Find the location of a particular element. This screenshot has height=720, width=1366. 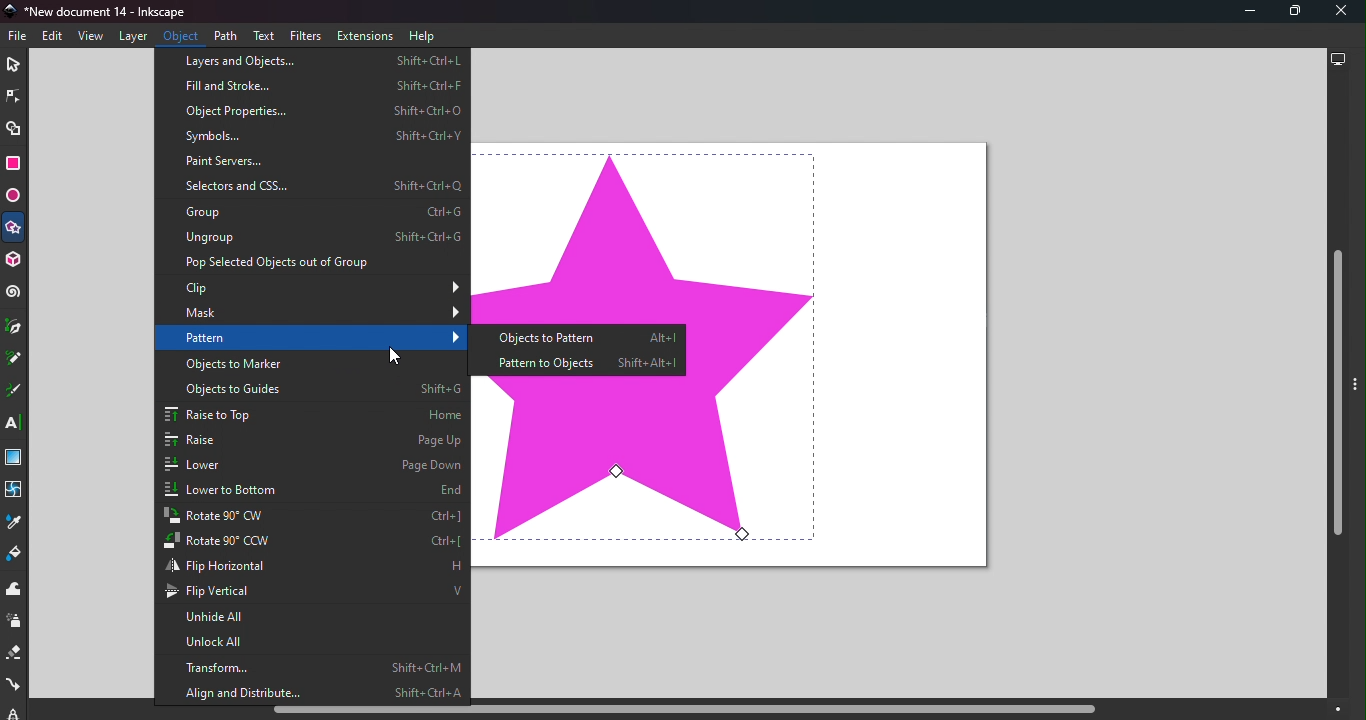

Lower to bottom is located at coordinates (309, 490).